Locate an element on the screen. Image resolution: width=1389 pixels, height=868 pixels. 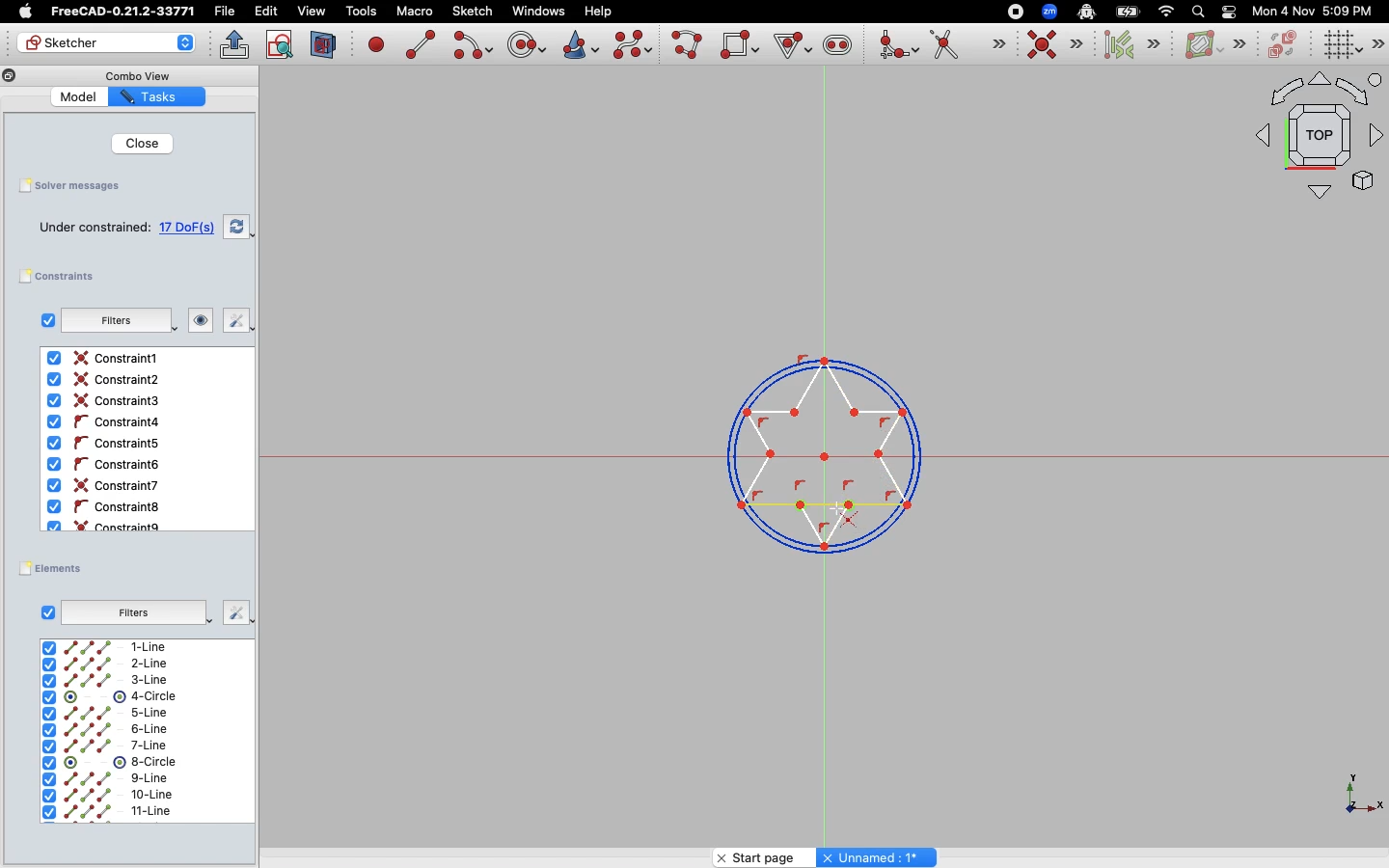
Top is located at coordinates (1310, 140).